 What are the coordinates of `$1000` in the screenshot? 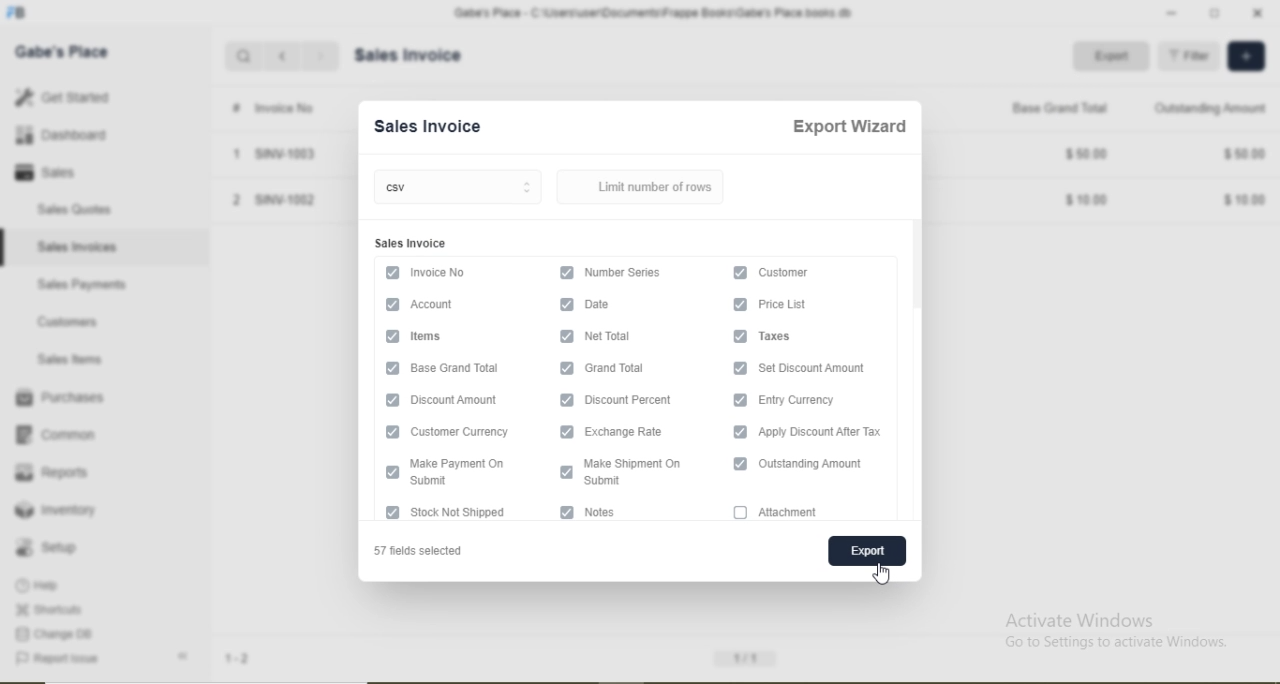 It's located at (1246, 200).